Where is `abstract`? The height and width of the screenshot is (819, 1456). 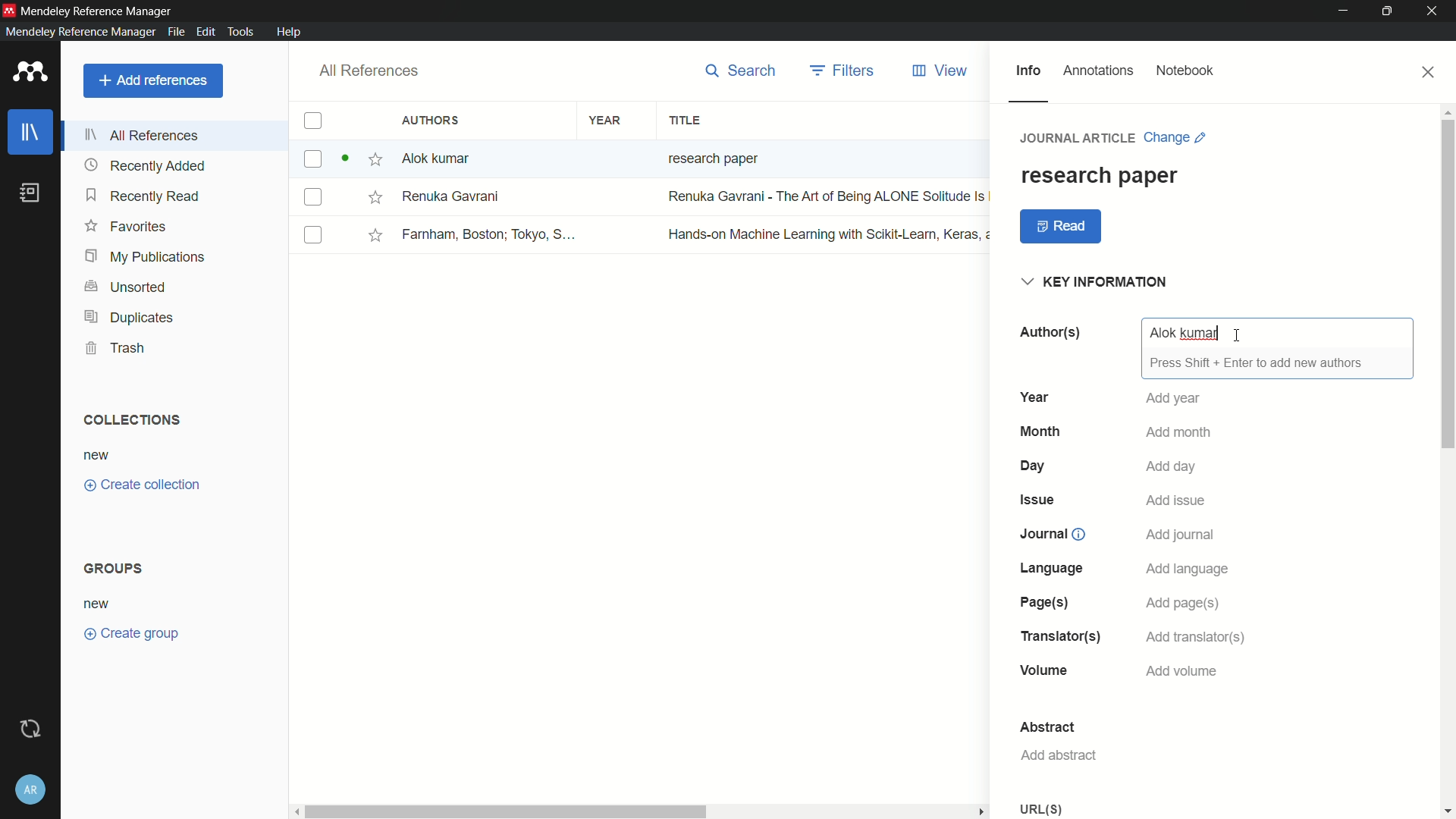
abstract is located at coordinates (1049, 727).